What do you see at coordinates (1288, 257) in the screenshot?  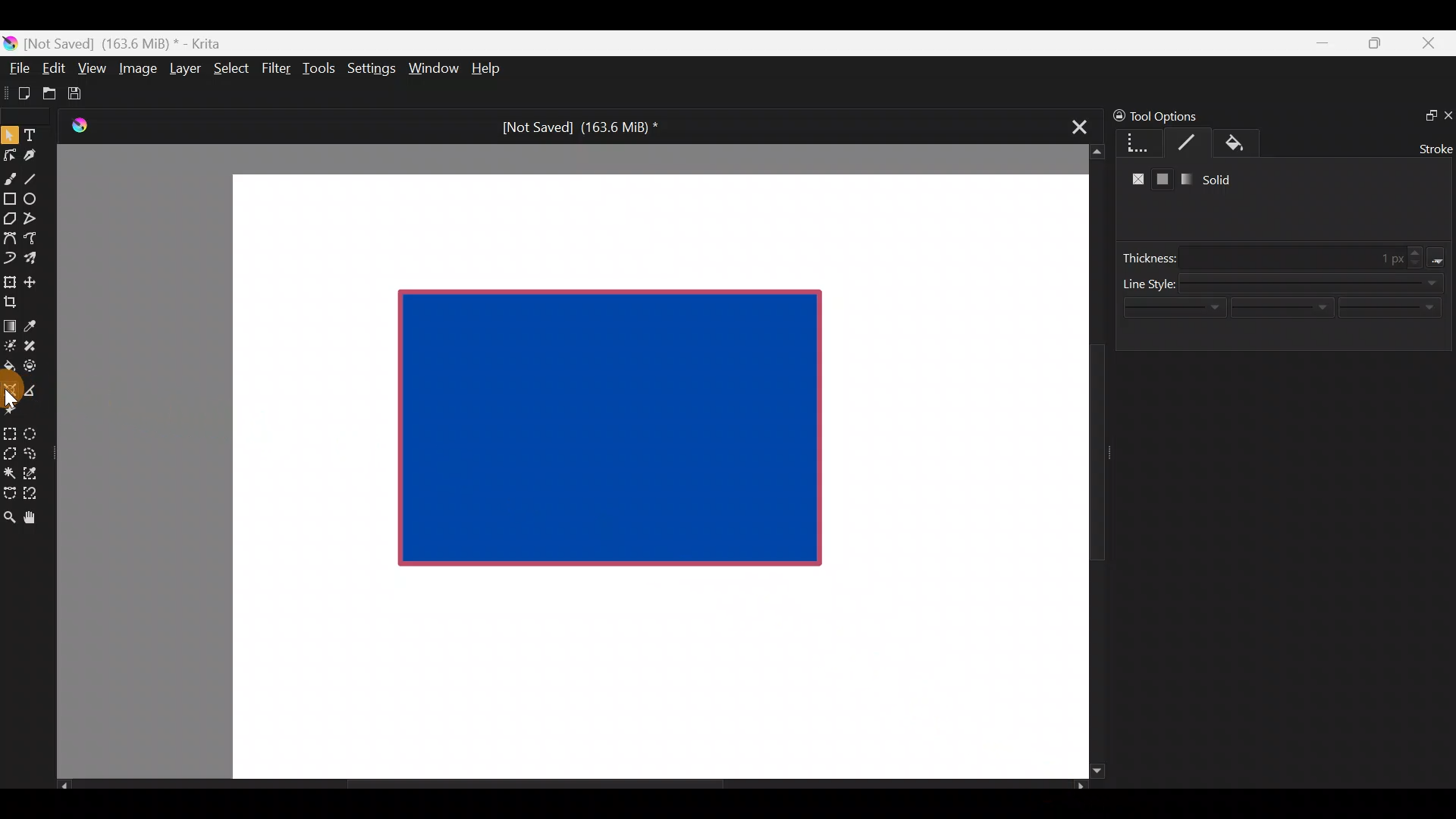 I see `Thickness` at bounding box center [1288, 257].